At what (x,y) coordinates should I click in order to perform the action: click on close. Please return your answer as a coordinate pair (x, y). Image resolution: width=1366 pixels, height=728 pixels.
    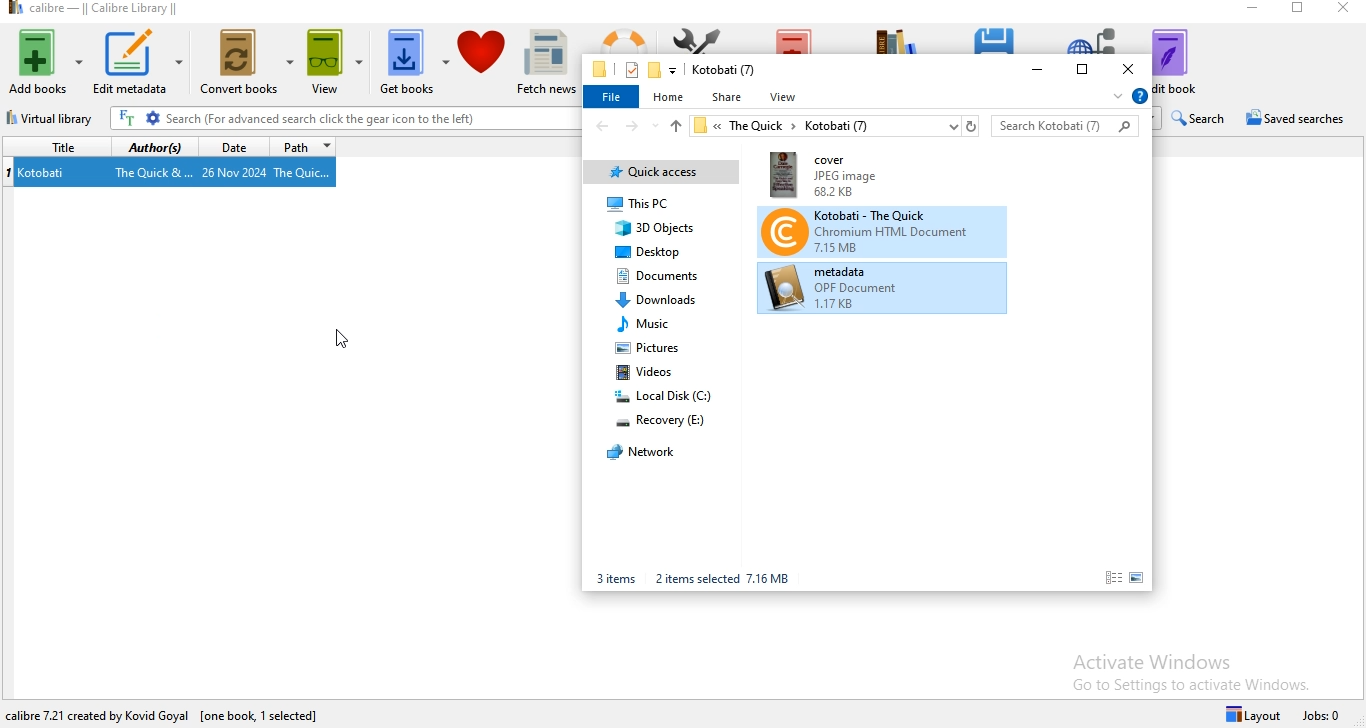
    Looking at the image, I should click on (1345, 10).